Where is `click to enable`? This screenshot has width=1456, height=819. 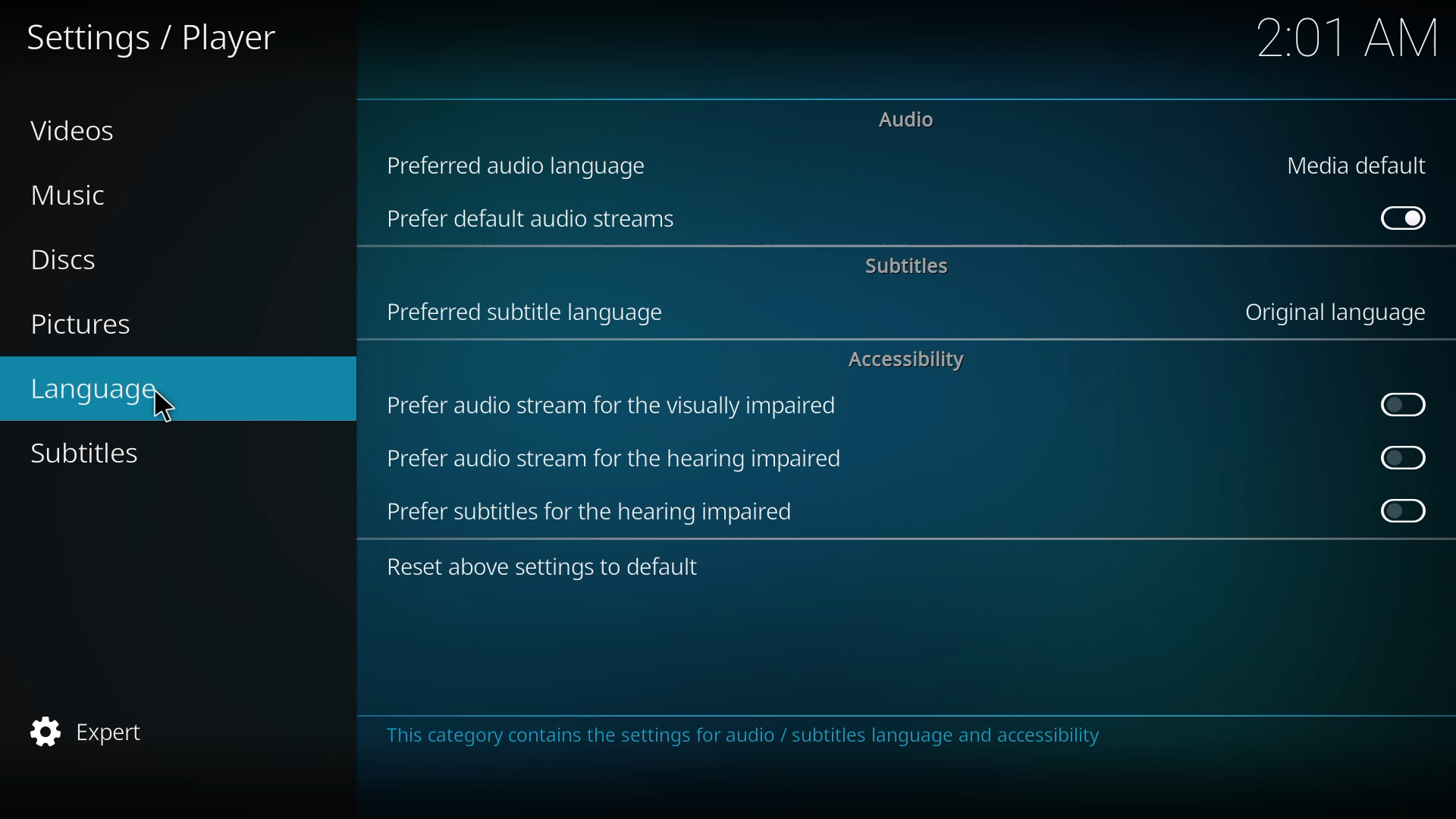
click to enable is located at coordinates (1398, 511).